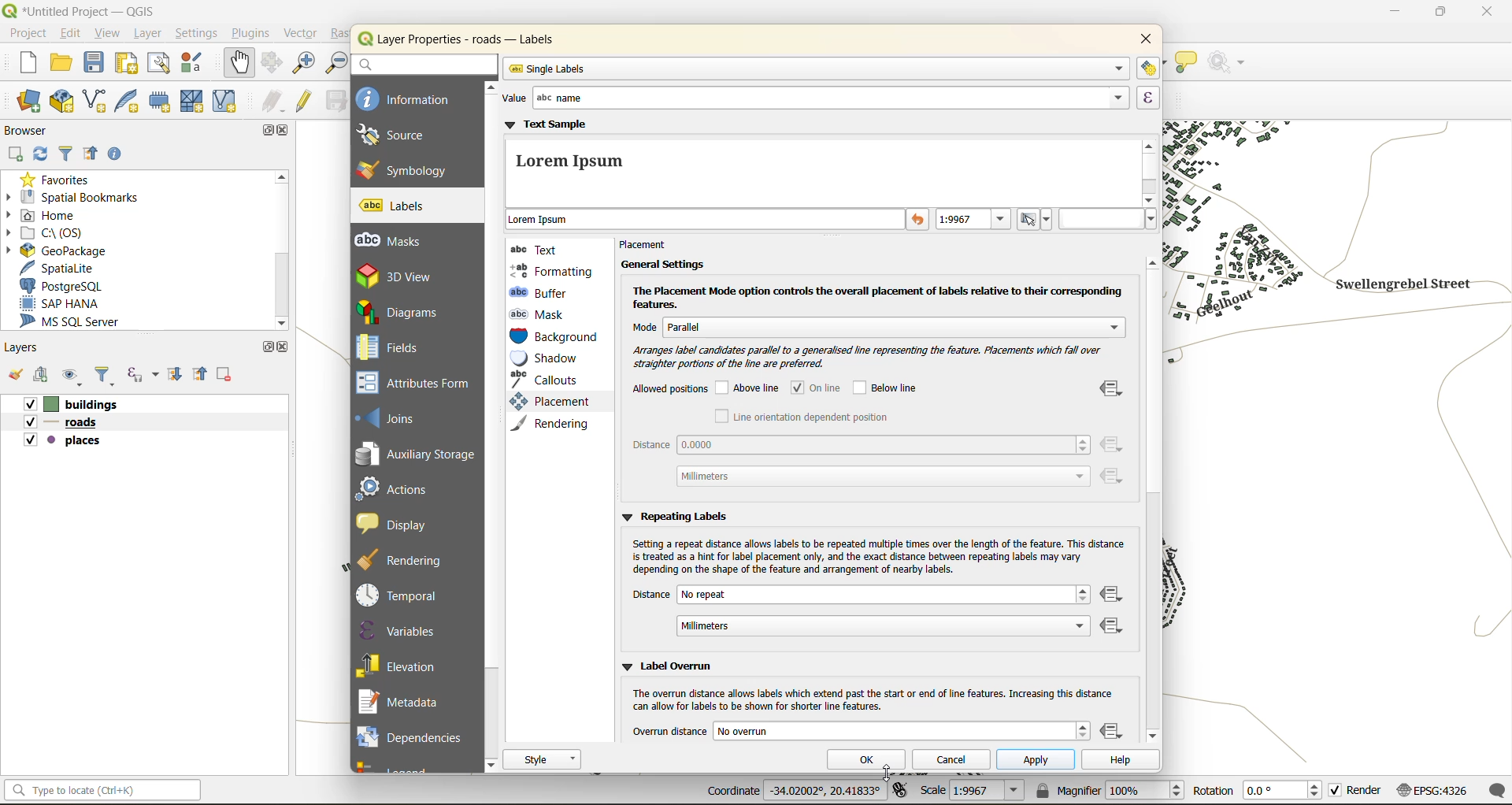  I want to click on remove, so click(223, 377).